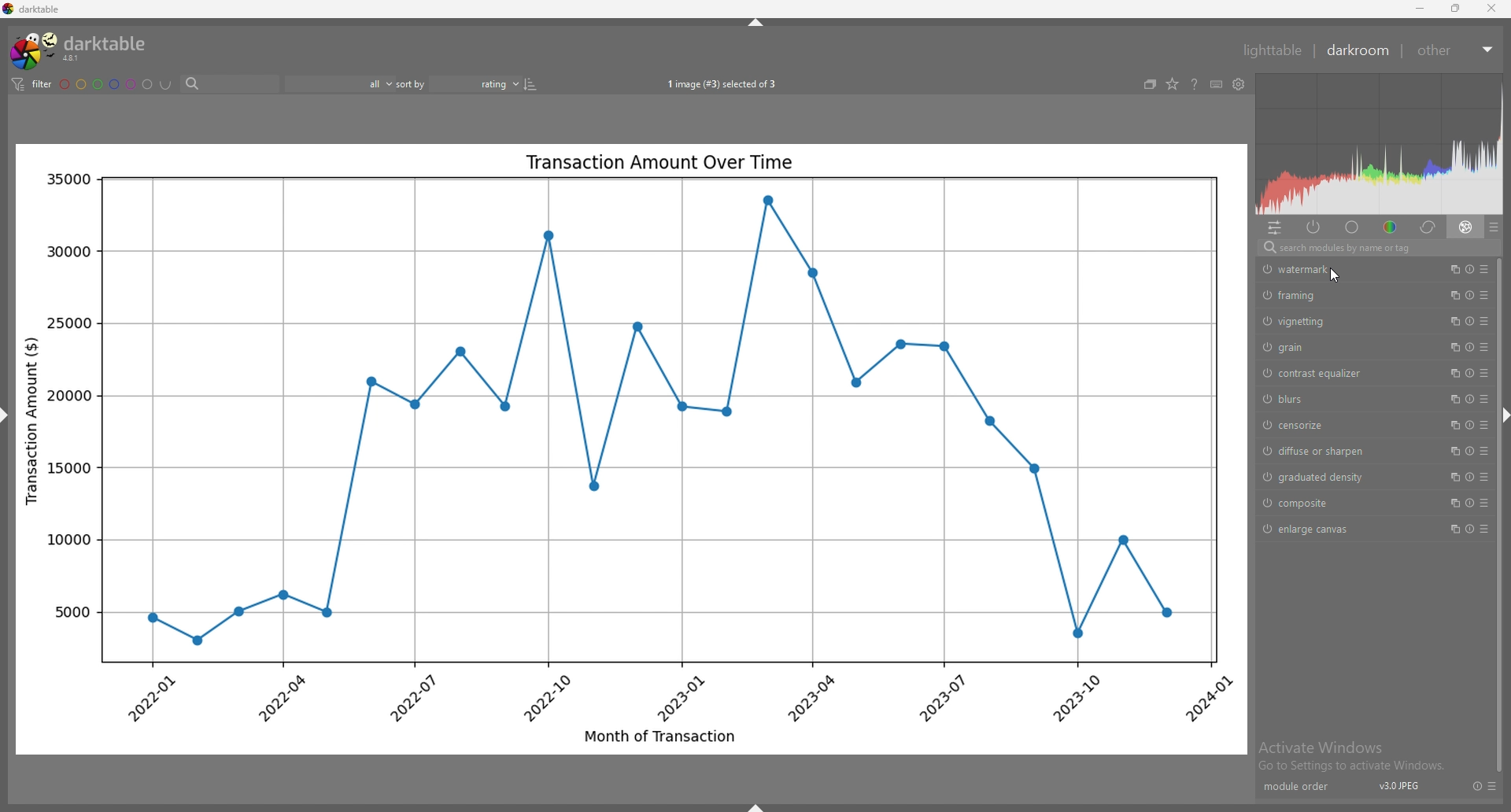 The image size is (1511, 812). I want to click on multiple instances action, so click(1452, 321).